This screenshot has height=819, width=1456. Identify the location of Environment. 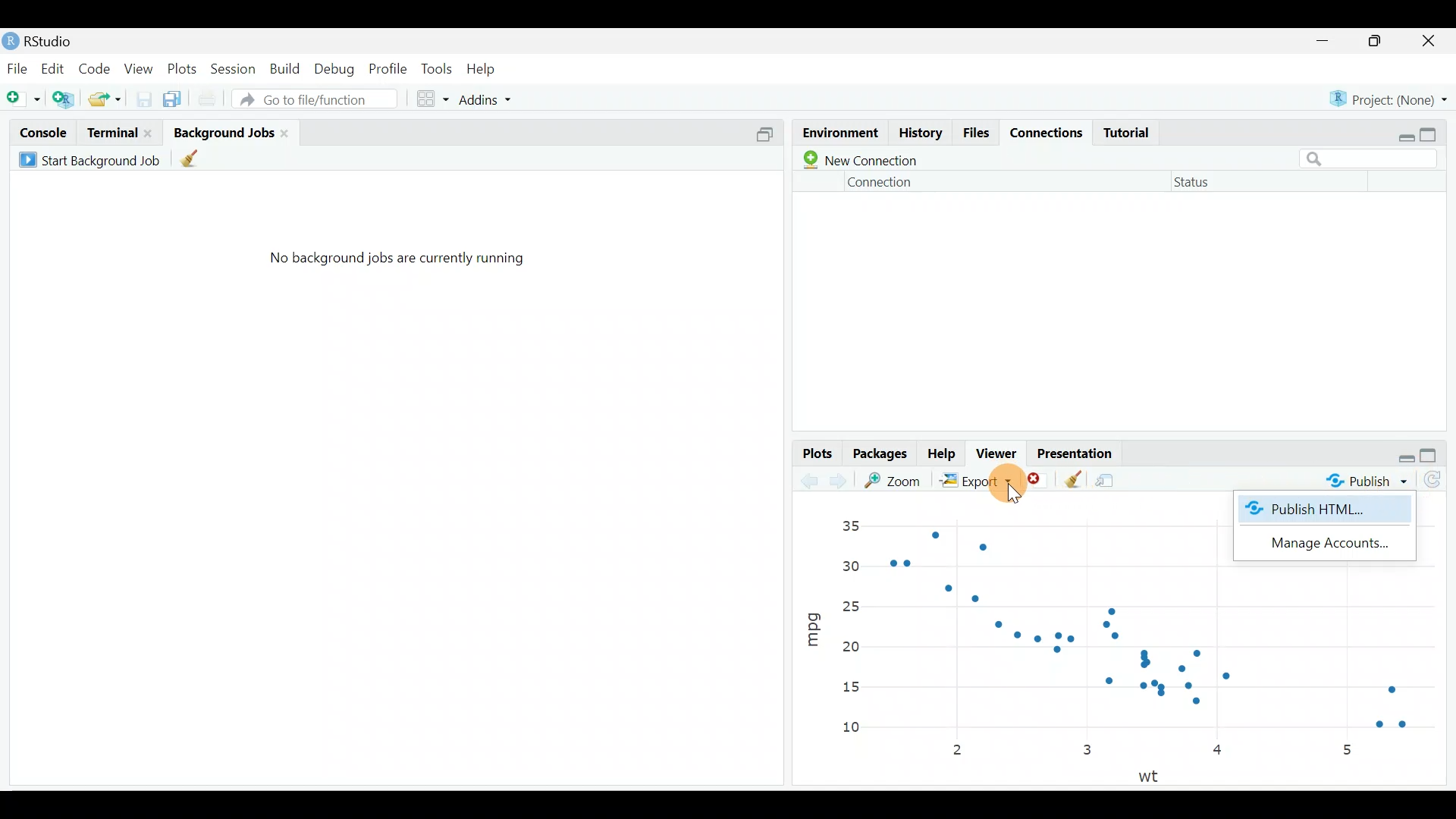
(839, 129).